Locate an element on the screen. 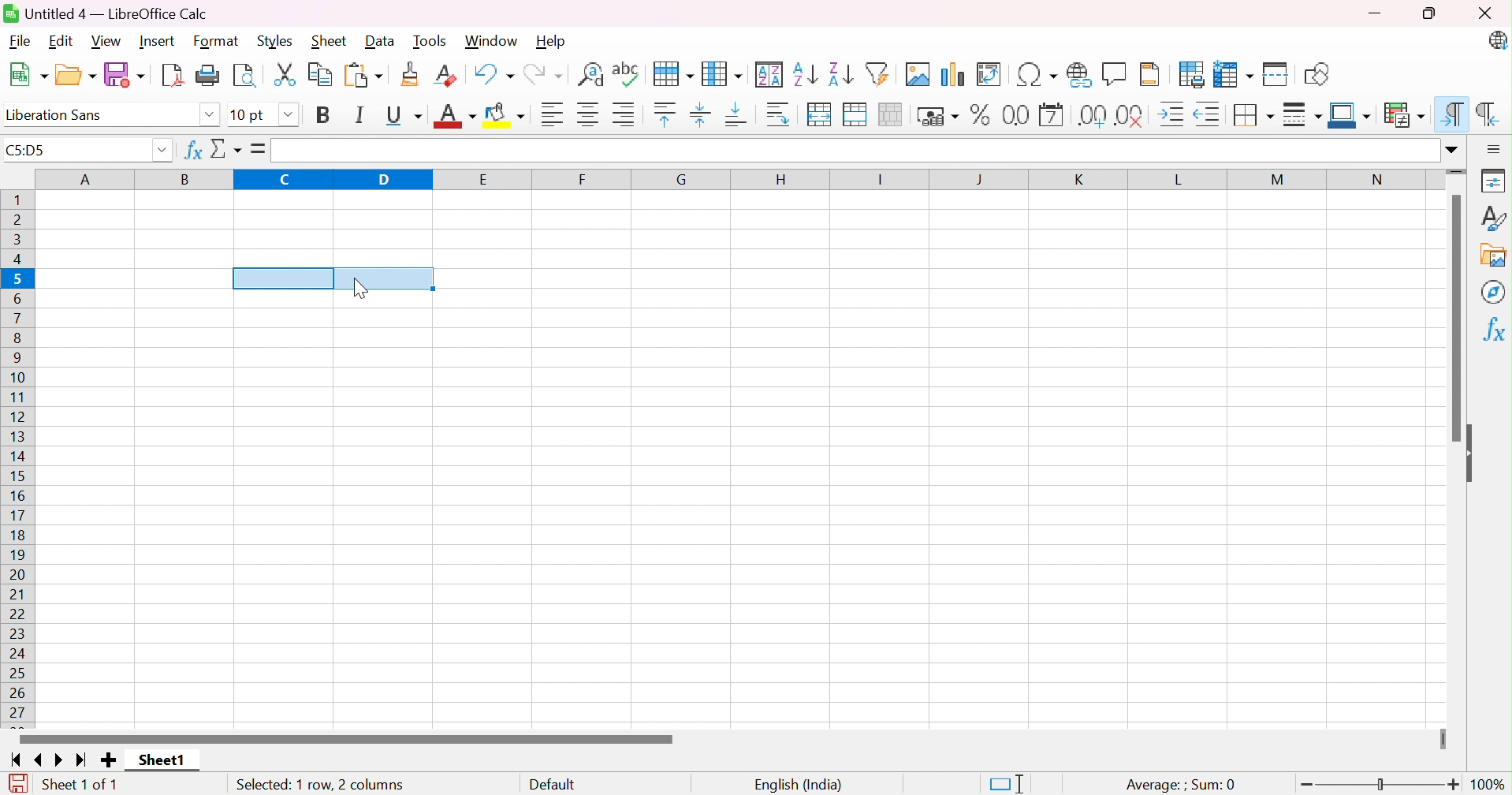  Headers and Footers is located at coordinates (1154, 73).